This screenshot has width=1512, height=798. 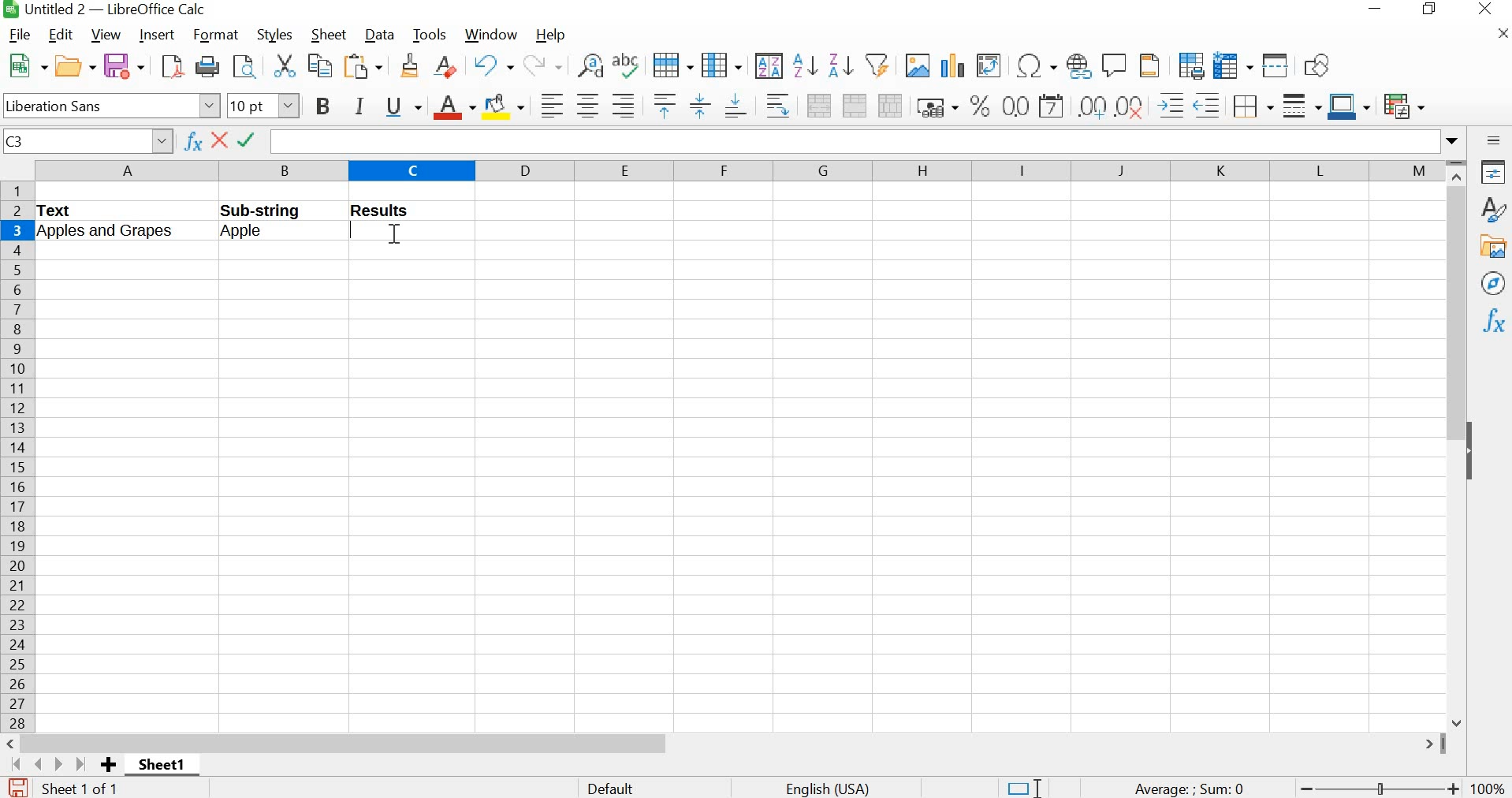 What do you see at coordinates (671, 63) in the screenshot?
I see `row` at bounding box center [671, 63].